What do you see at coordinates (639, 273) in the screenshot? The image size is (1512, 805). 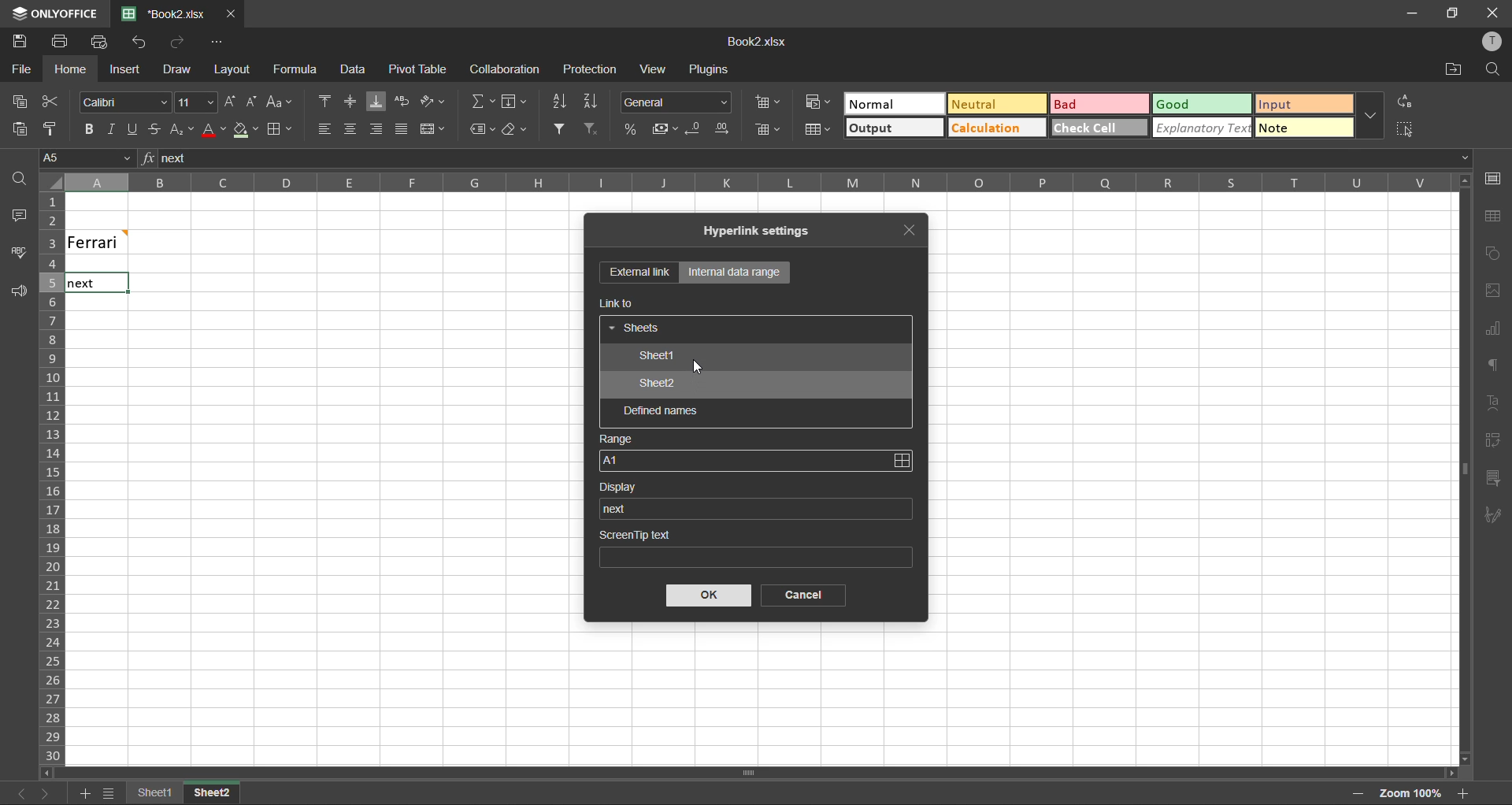 I see `external link` at bounding box center [639, 273].